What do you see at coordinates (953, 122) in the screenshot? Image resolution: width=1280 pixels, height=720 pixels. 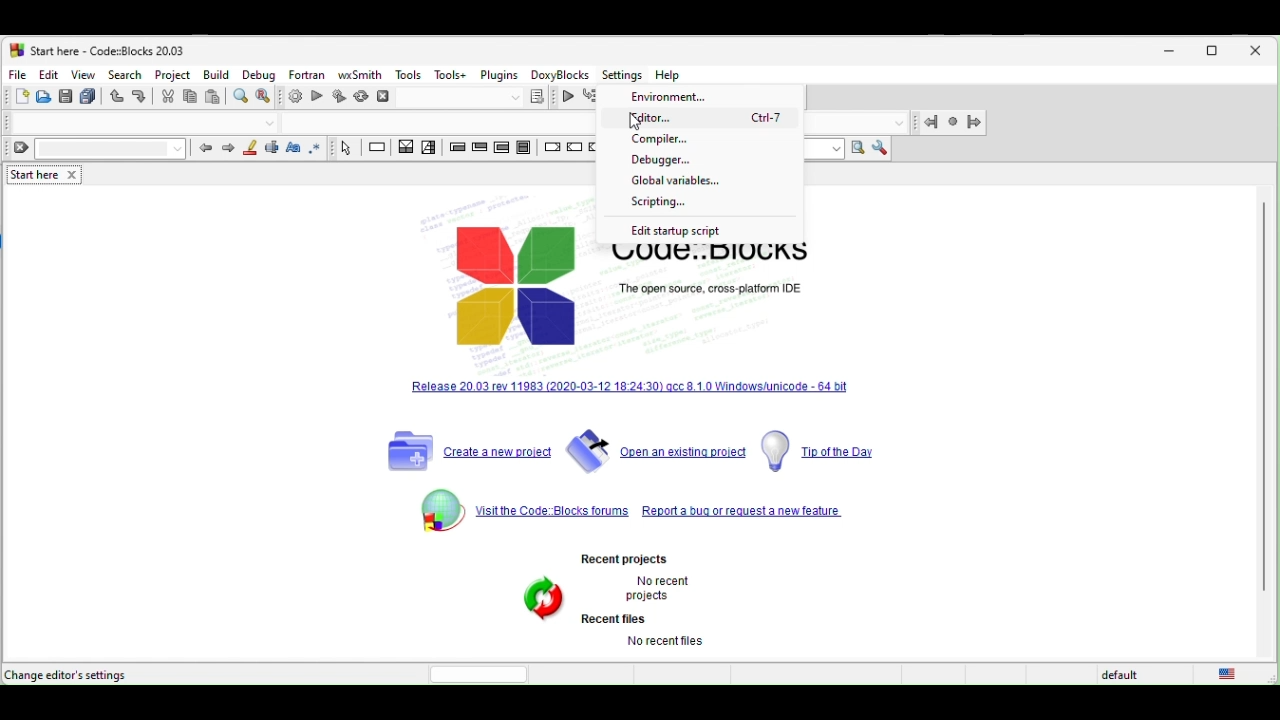 I see `last jump` at bounding box center [953, 122].